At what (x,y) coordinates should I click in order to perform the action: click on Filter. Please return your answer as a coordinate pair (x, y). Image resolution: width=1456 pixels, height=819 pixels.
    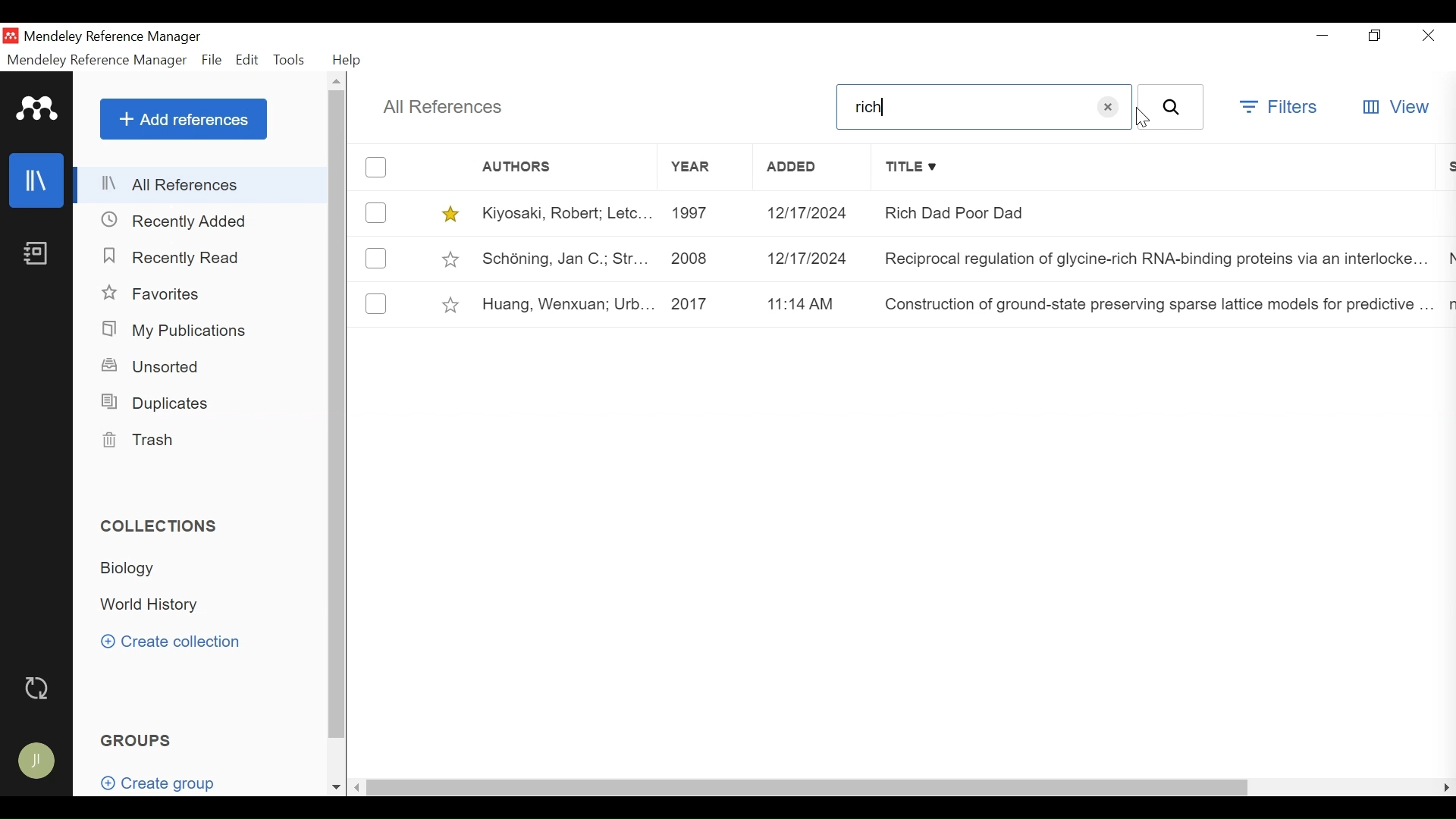
    Looking at the image, I should click on (1277, 106).